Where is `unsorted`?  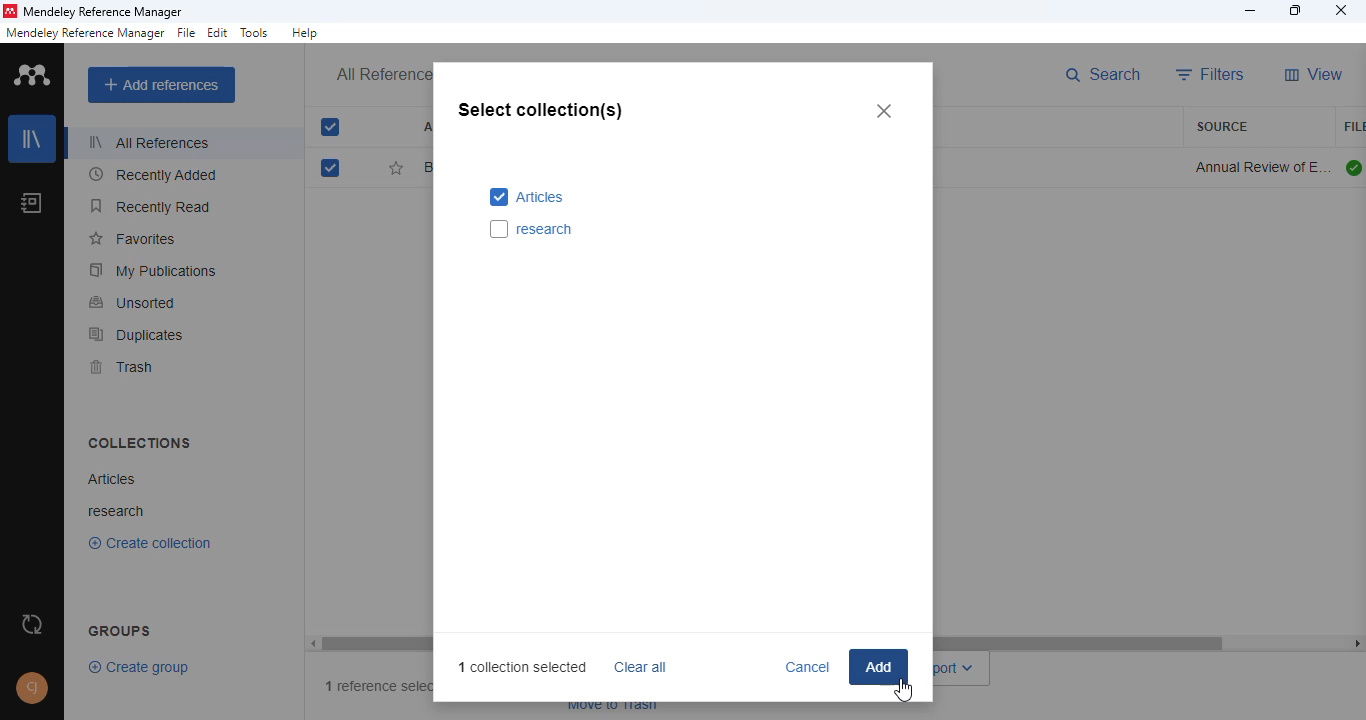
unsorted is located at coordinates (134, 303).